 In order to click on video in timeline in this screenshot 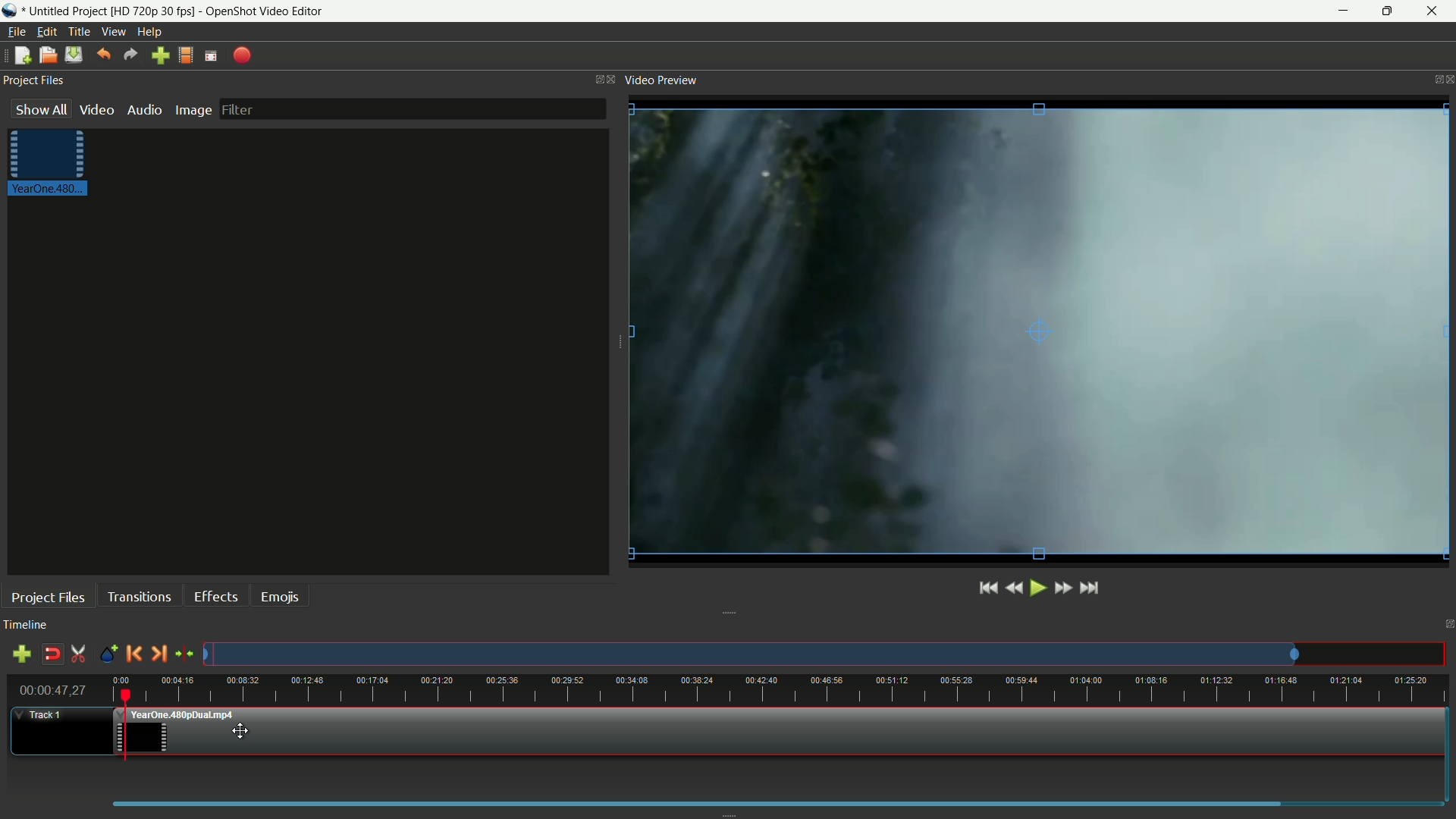, I will do `click(779, 733)`.